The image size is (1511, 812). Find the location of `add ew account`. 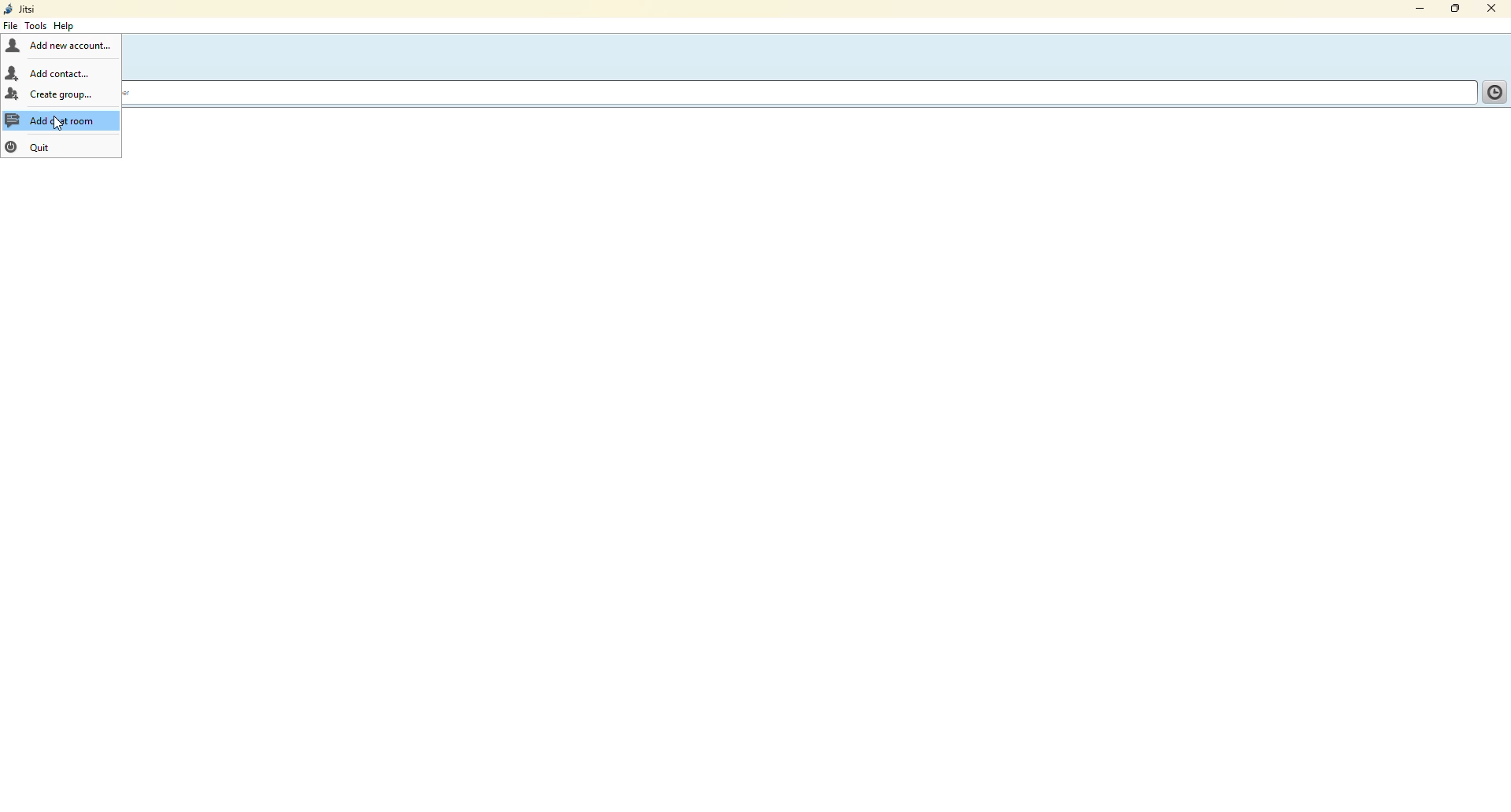

add ew account is located at coordinates (74, 45).